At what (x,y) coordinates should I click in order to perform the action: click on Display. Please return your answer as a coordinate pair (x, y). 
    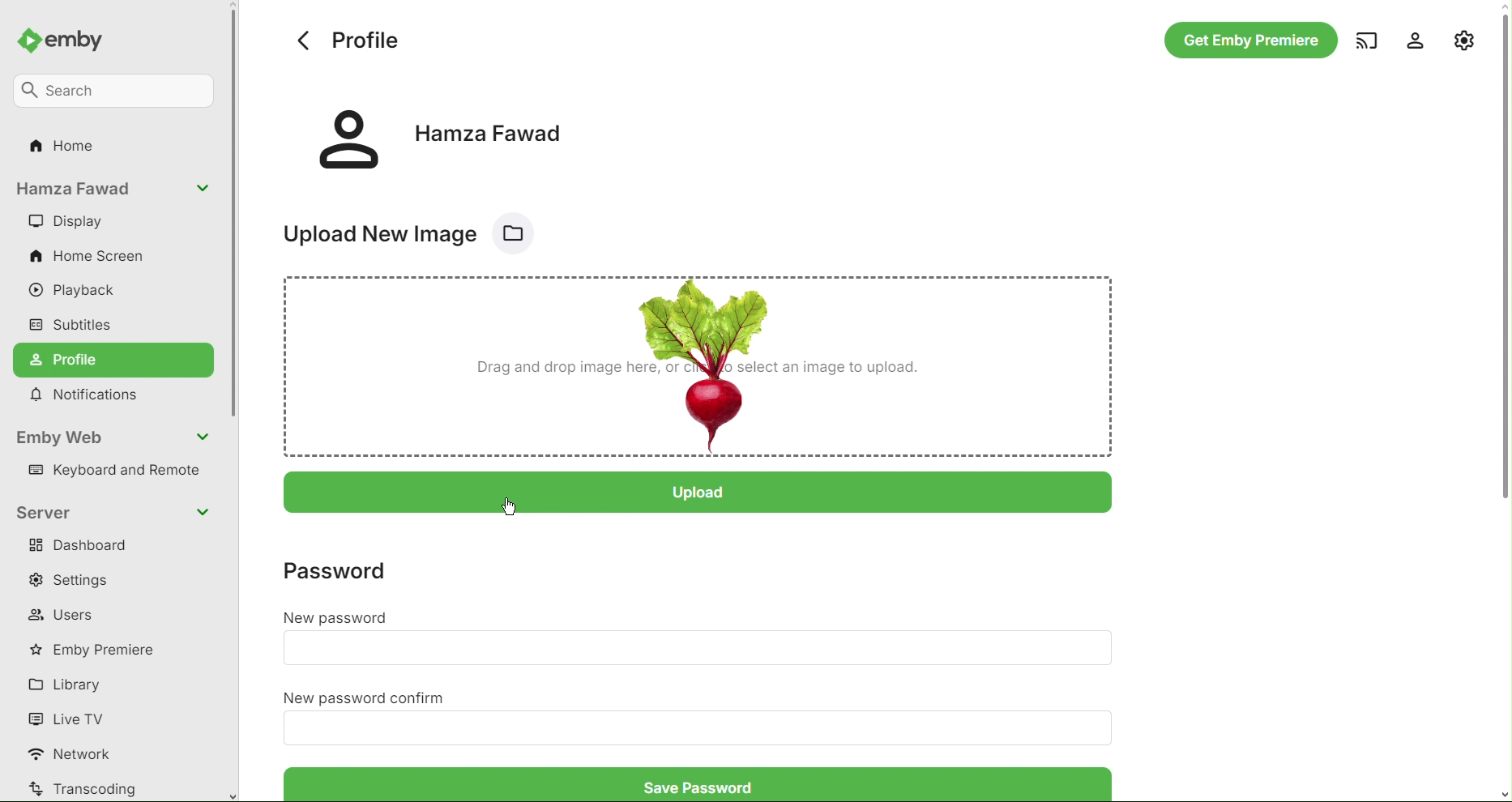
    Looking at the image, I should click on (66, 222).